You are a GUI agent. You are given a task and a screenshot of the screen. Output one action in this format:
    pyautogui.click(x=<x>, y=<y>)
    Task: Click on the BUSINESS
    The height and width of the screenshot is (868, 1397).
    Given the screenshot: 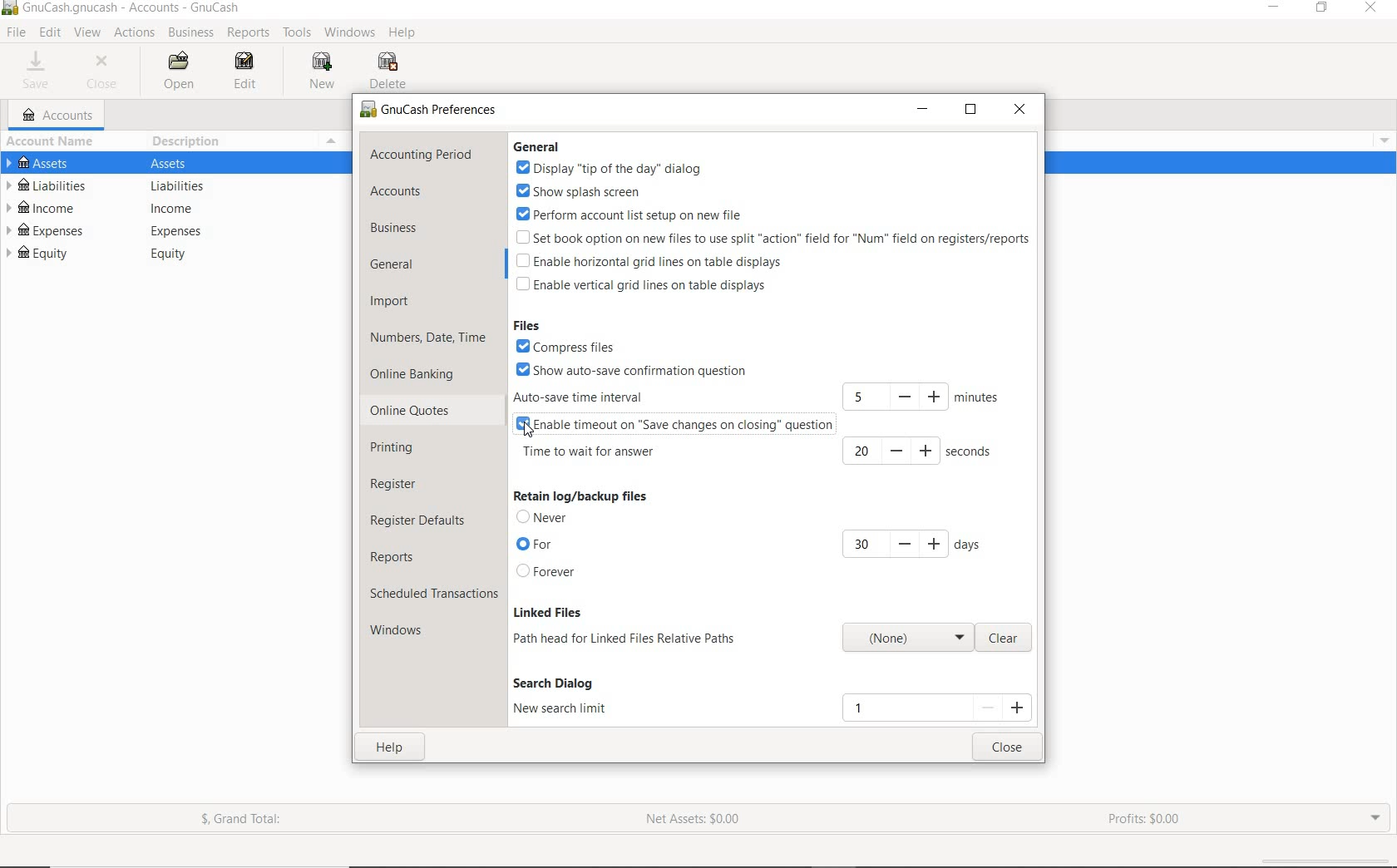 What is the action you would take?
    pyautogui.click(x=189, y=32)
    